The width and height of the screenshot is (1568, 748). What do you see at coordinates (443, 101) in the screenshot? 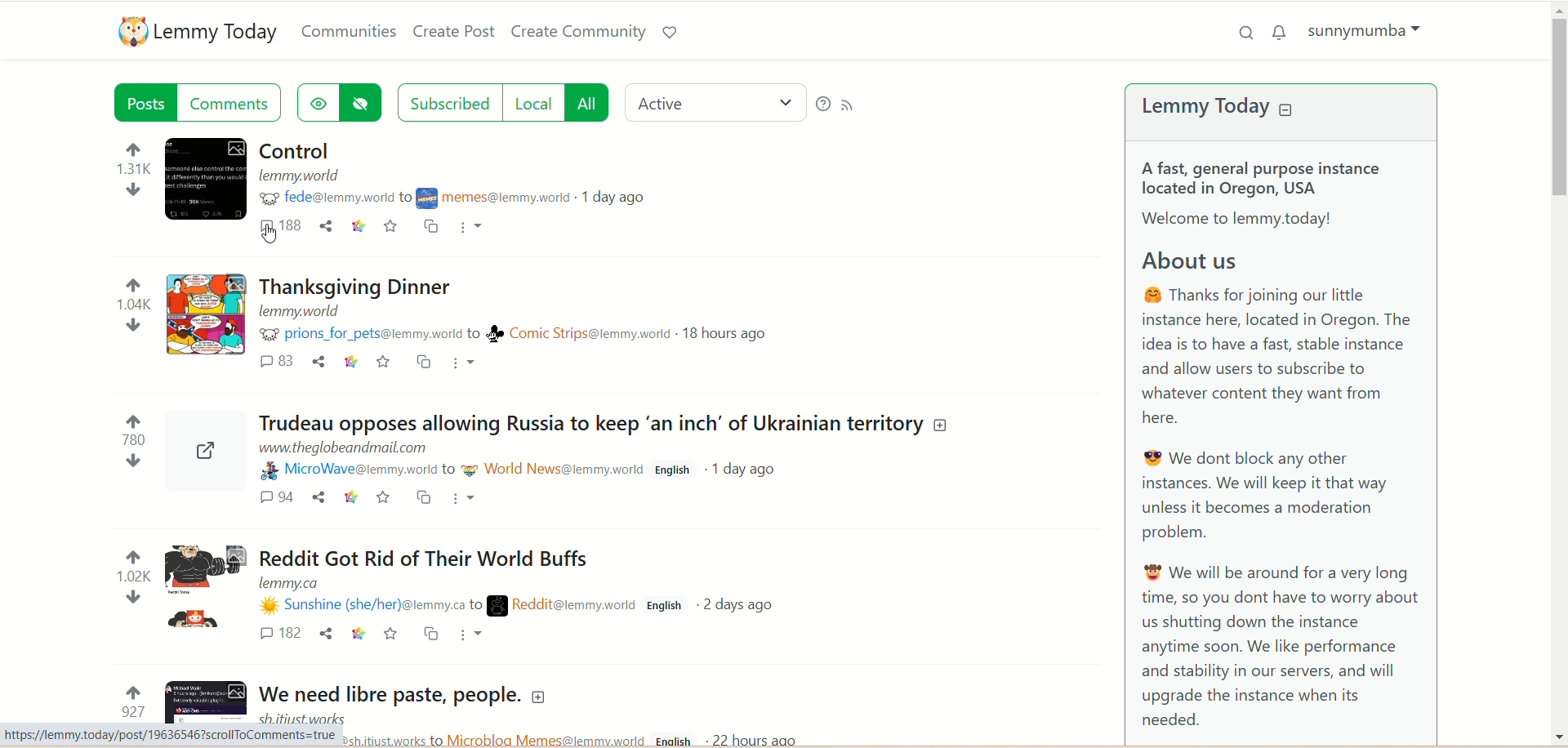
I see `subscribed` at bounding box center [443, 101].